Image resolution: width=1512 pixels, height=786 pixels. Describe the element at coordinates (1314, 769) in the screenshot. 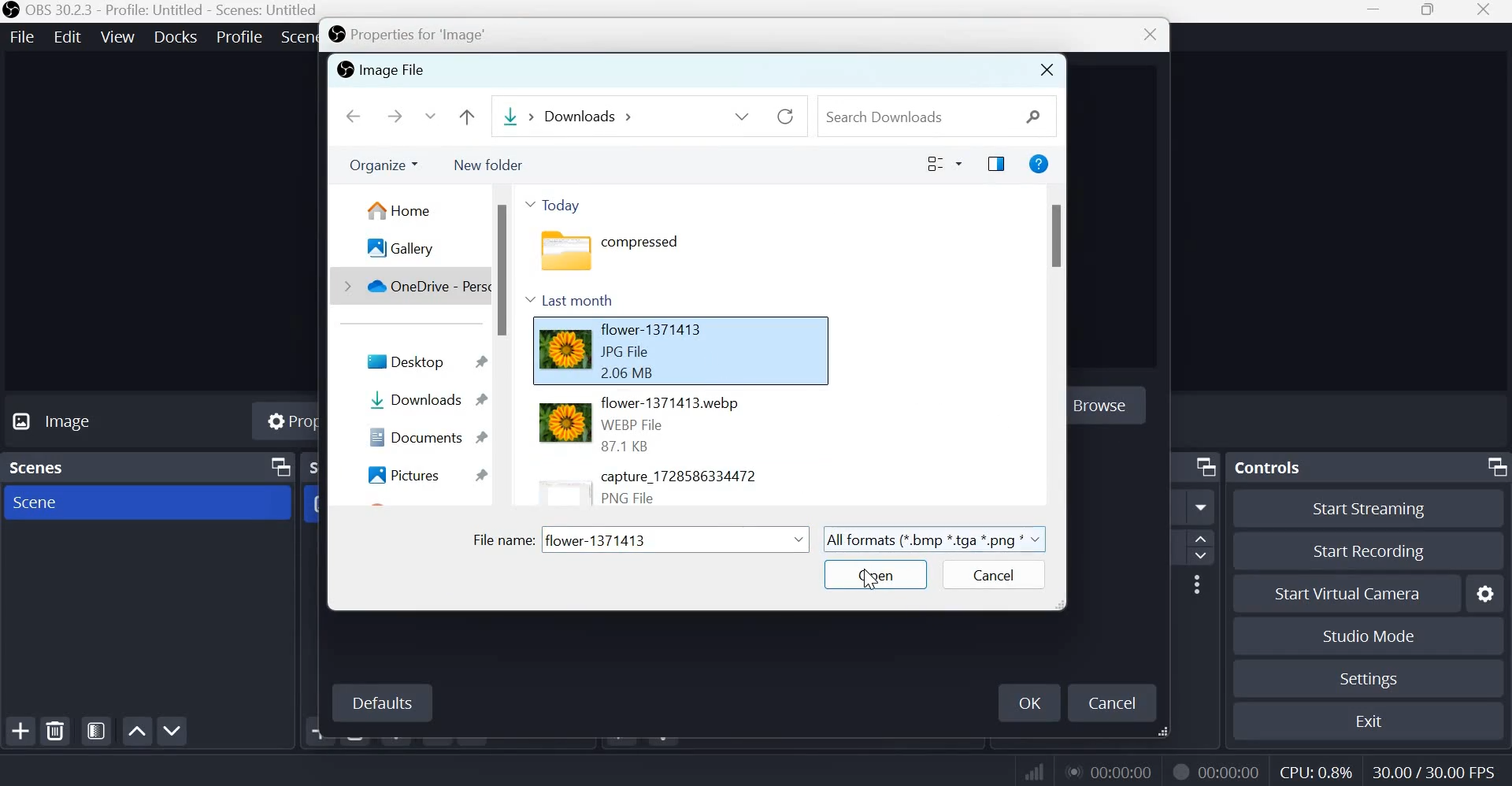

I see `CPU: 0.8%` at that location.